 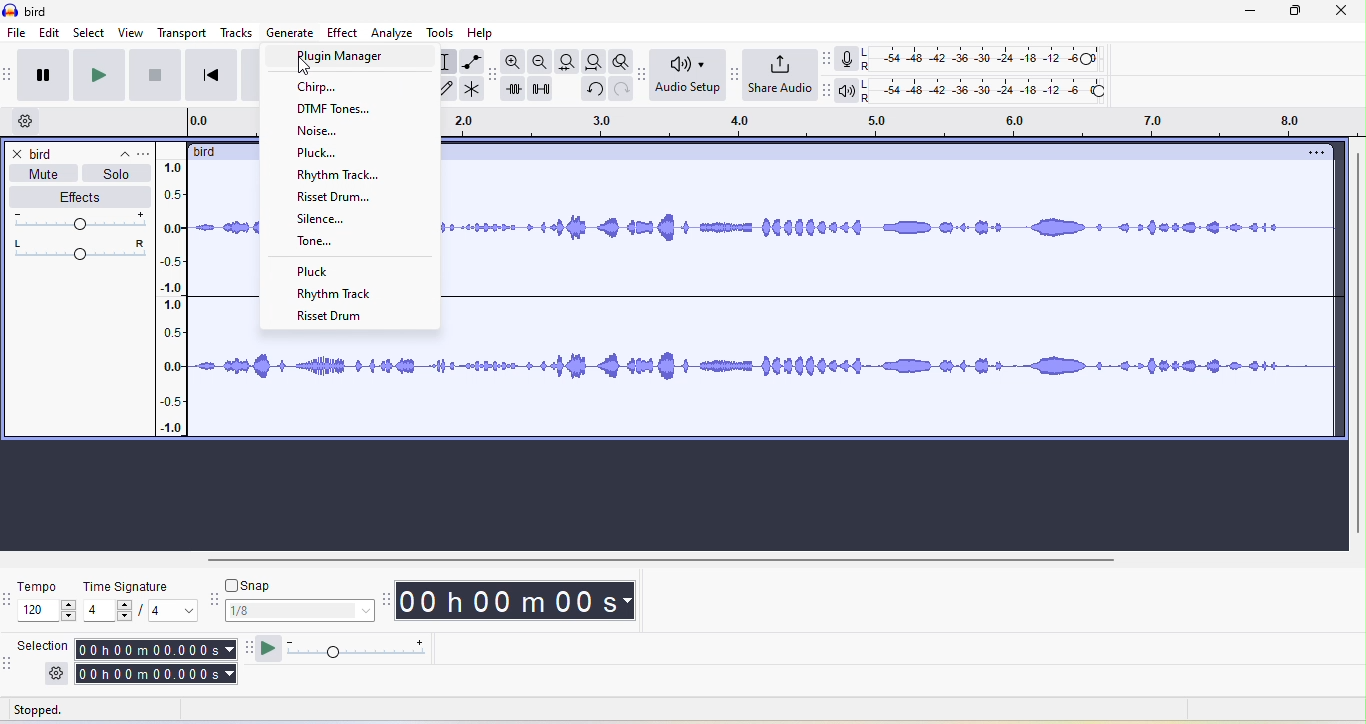 I want to click on audio setup , so click(x=684, y=79).